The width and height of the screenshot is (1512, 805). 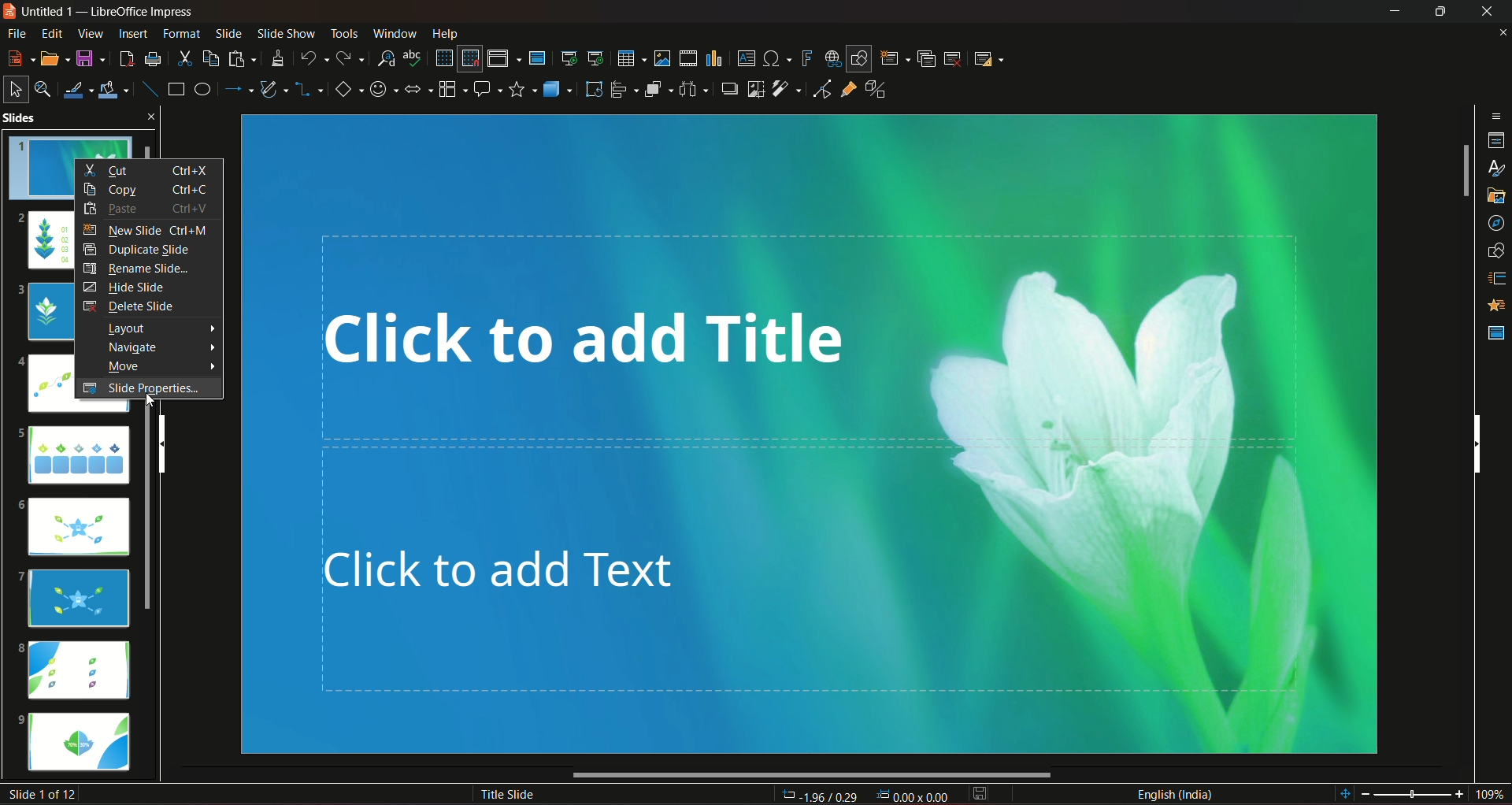 I want to click on ctrl+c, so click(x=195, y=190).